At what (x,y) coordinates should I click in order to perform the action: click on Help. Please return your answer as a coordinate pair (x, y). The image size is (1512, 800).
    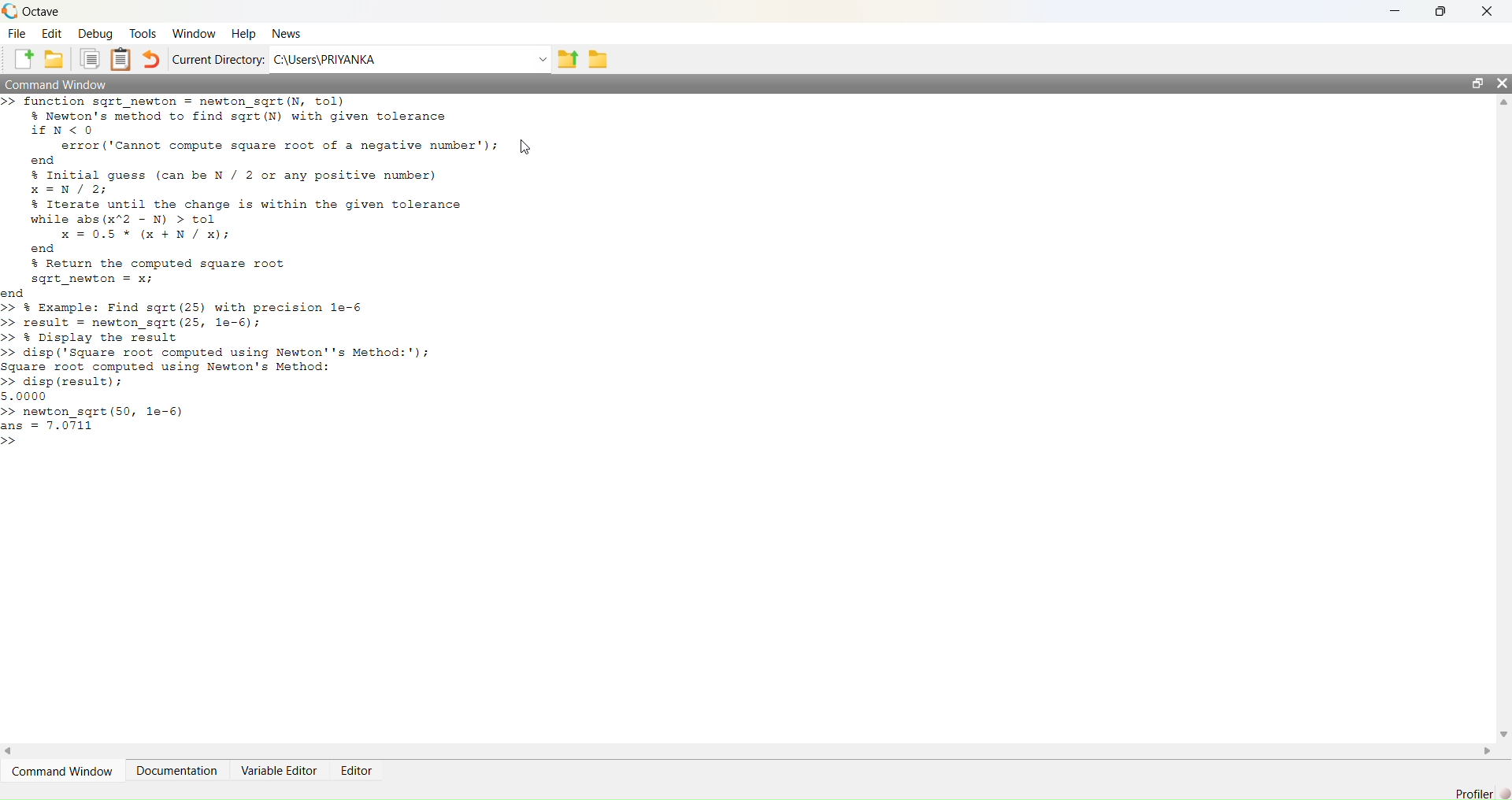
    Looking at the image, I should click on (243, 33).